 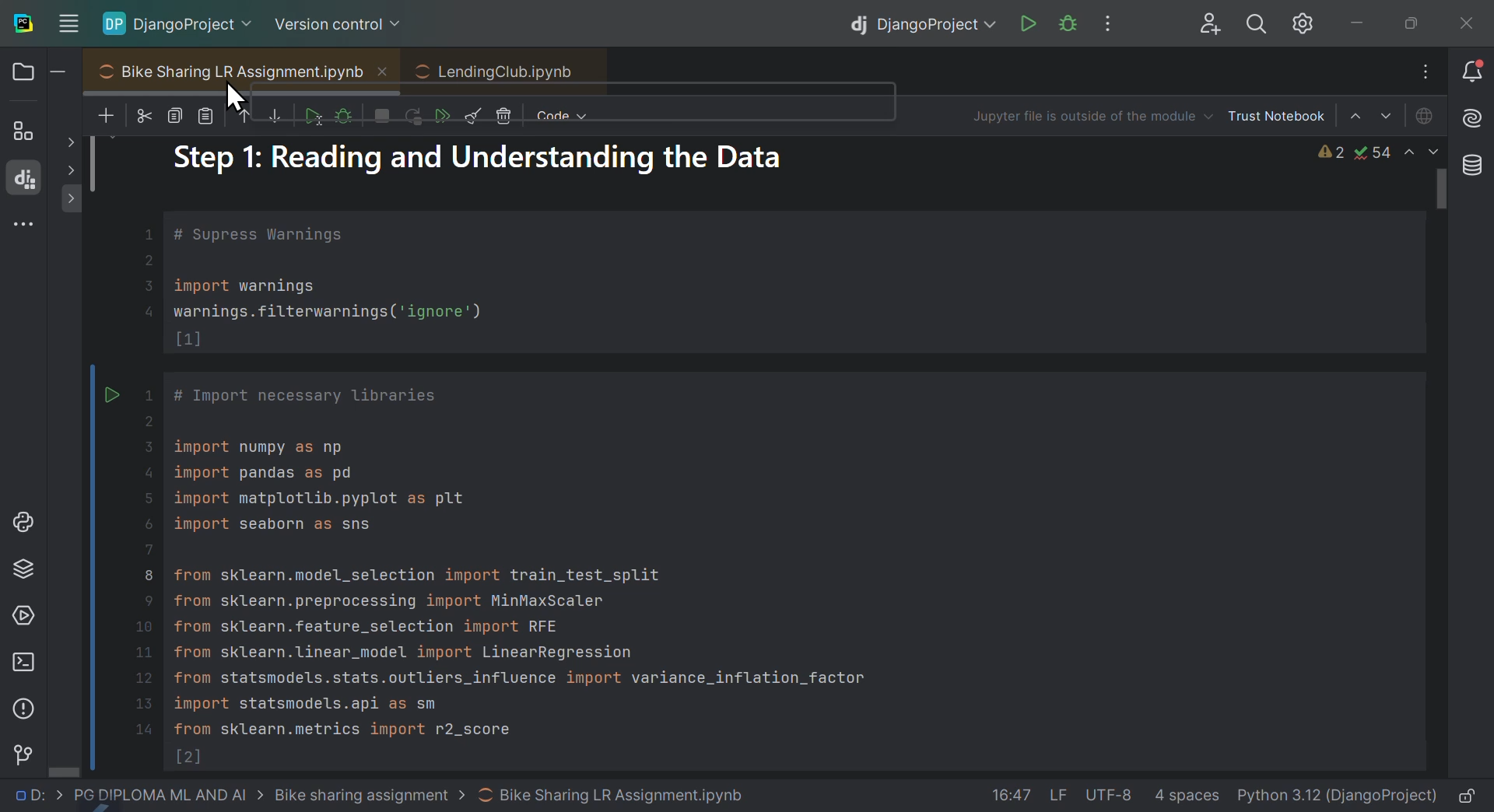 What do you see at coordinates (1354, 117) in the screenshot?
I see `Select cell above` at bounding box center [1354, 117].